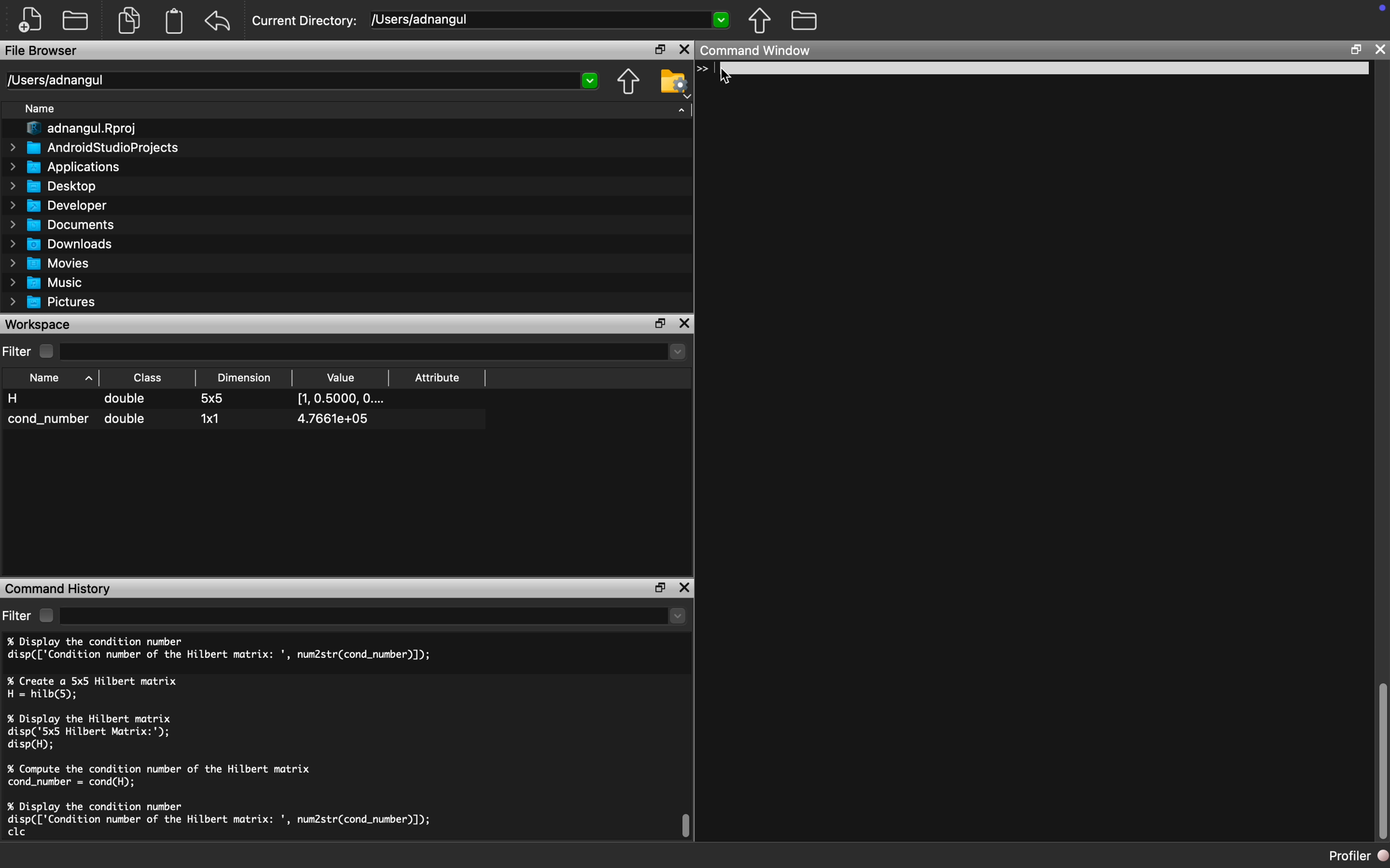 This screenshot has height=868, width=1390. I want to click on Value, so click(339, 377).